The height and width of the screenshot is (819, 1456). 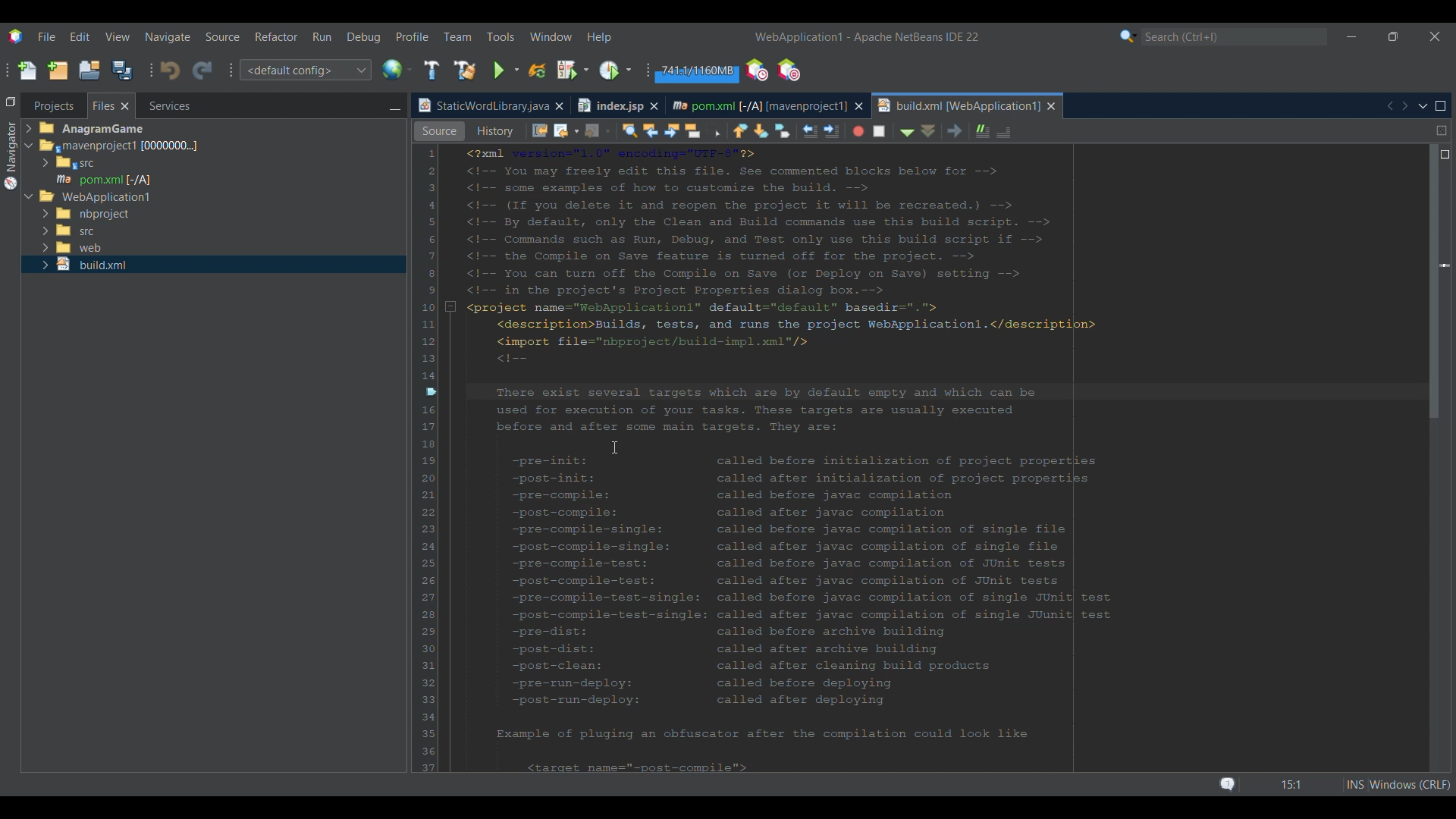 I want to click on Position changed, so click(x=1445, y=266).